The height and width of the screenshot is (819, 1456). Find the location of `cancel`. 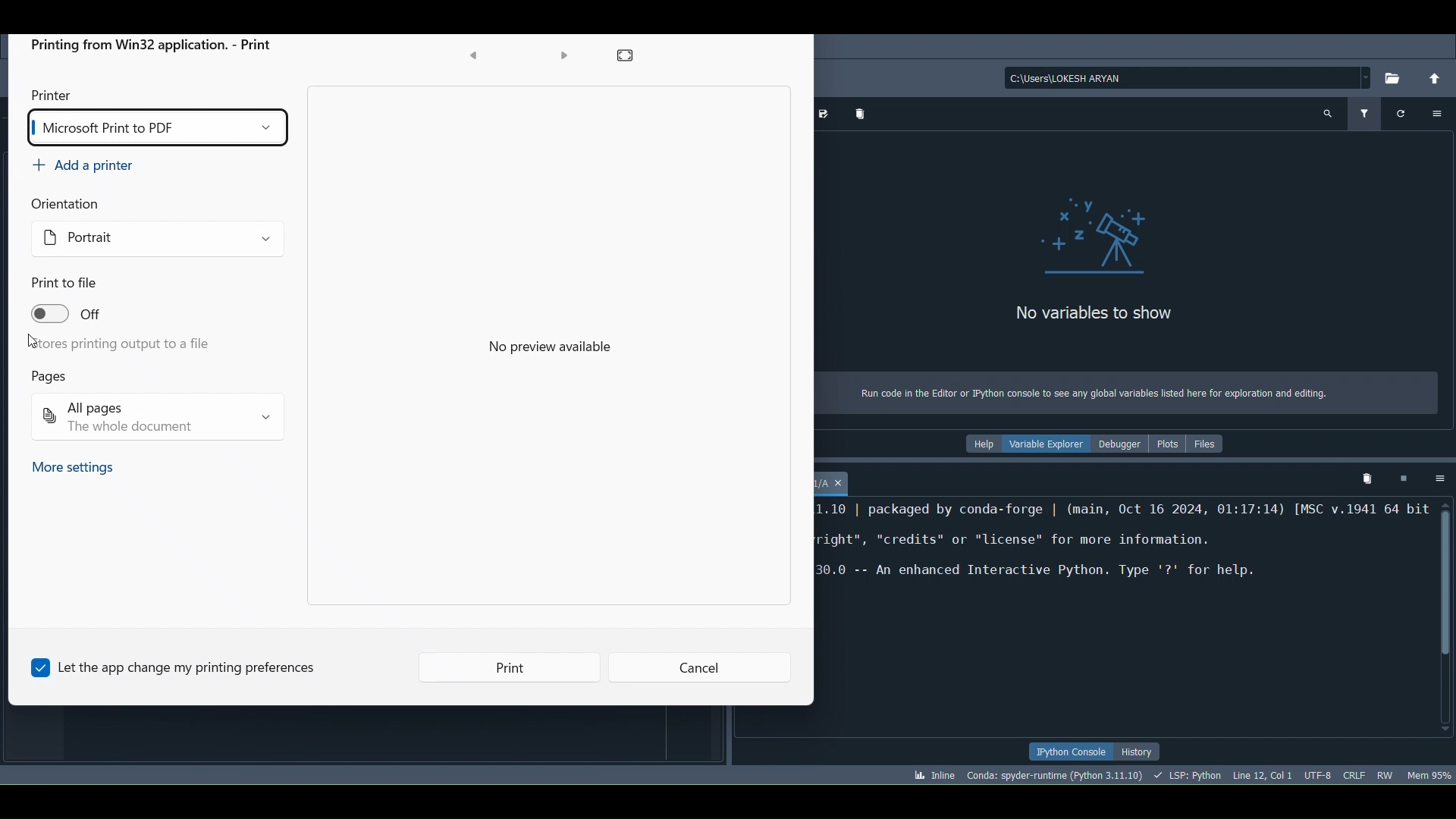

cancel is located at coordinates (701, 670).